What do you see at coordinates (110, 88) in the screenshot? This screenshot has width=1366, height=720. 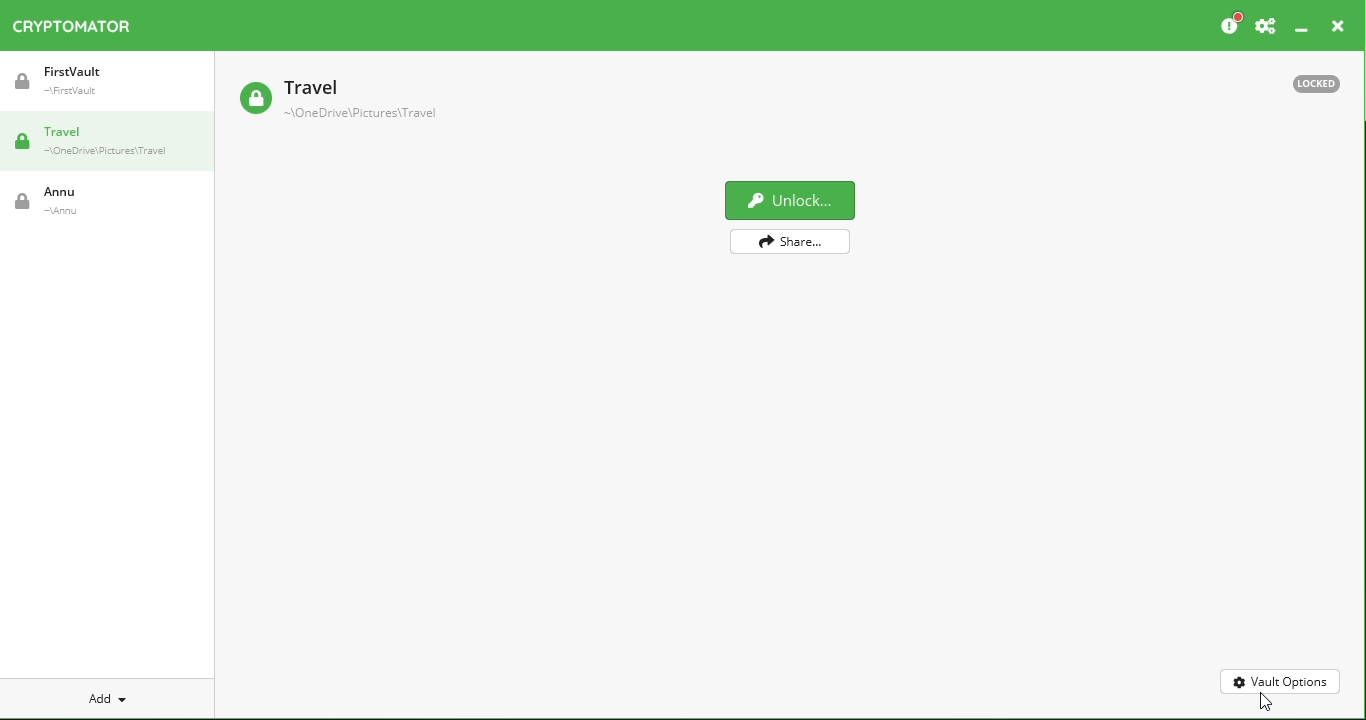 I see `FirstVault` at bounding box center [110, 88].